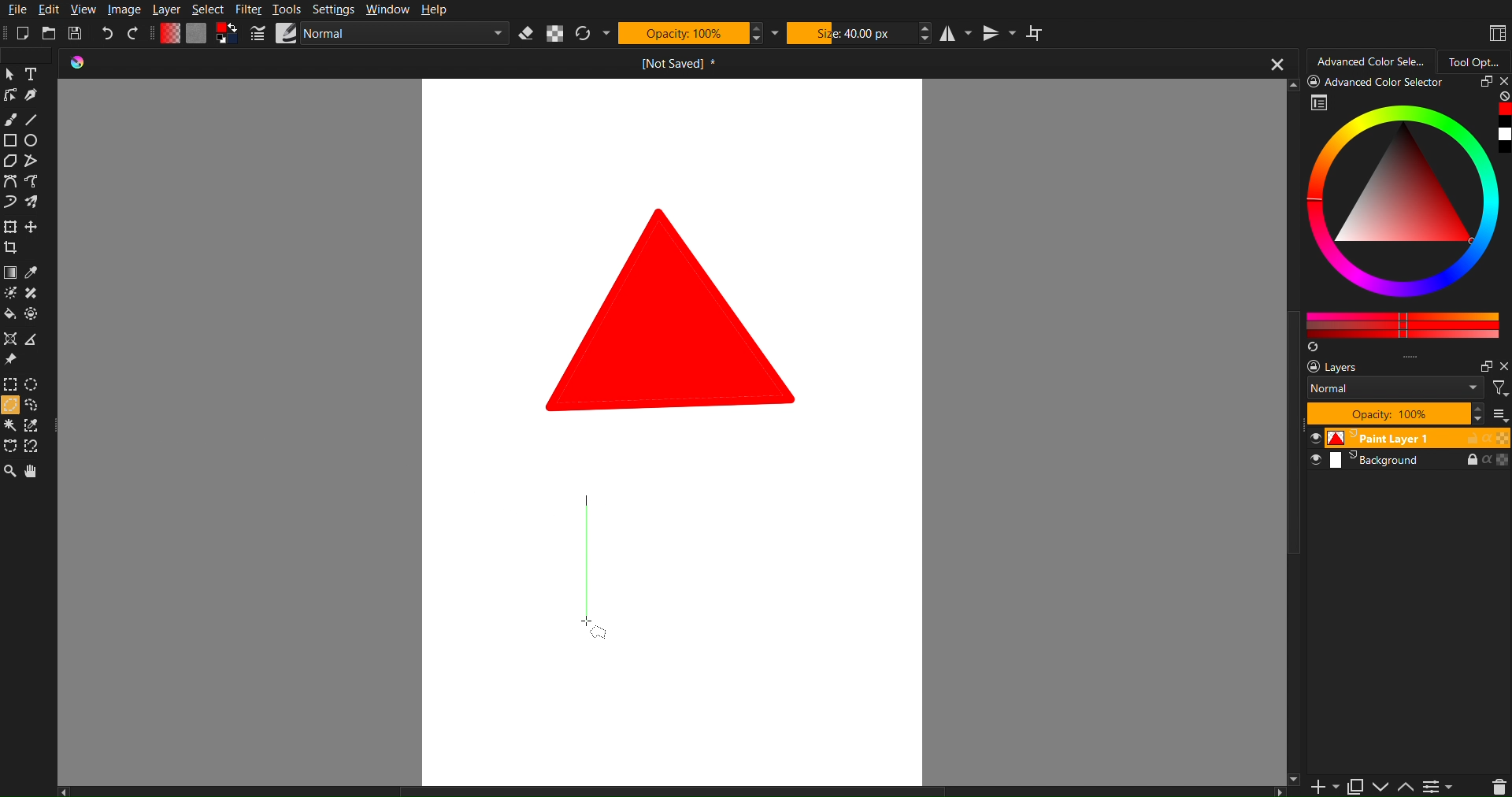  What do you see at coordinates (9, 274) in the screenshot?
I see `Gradient` at bounding box center [9, 274].